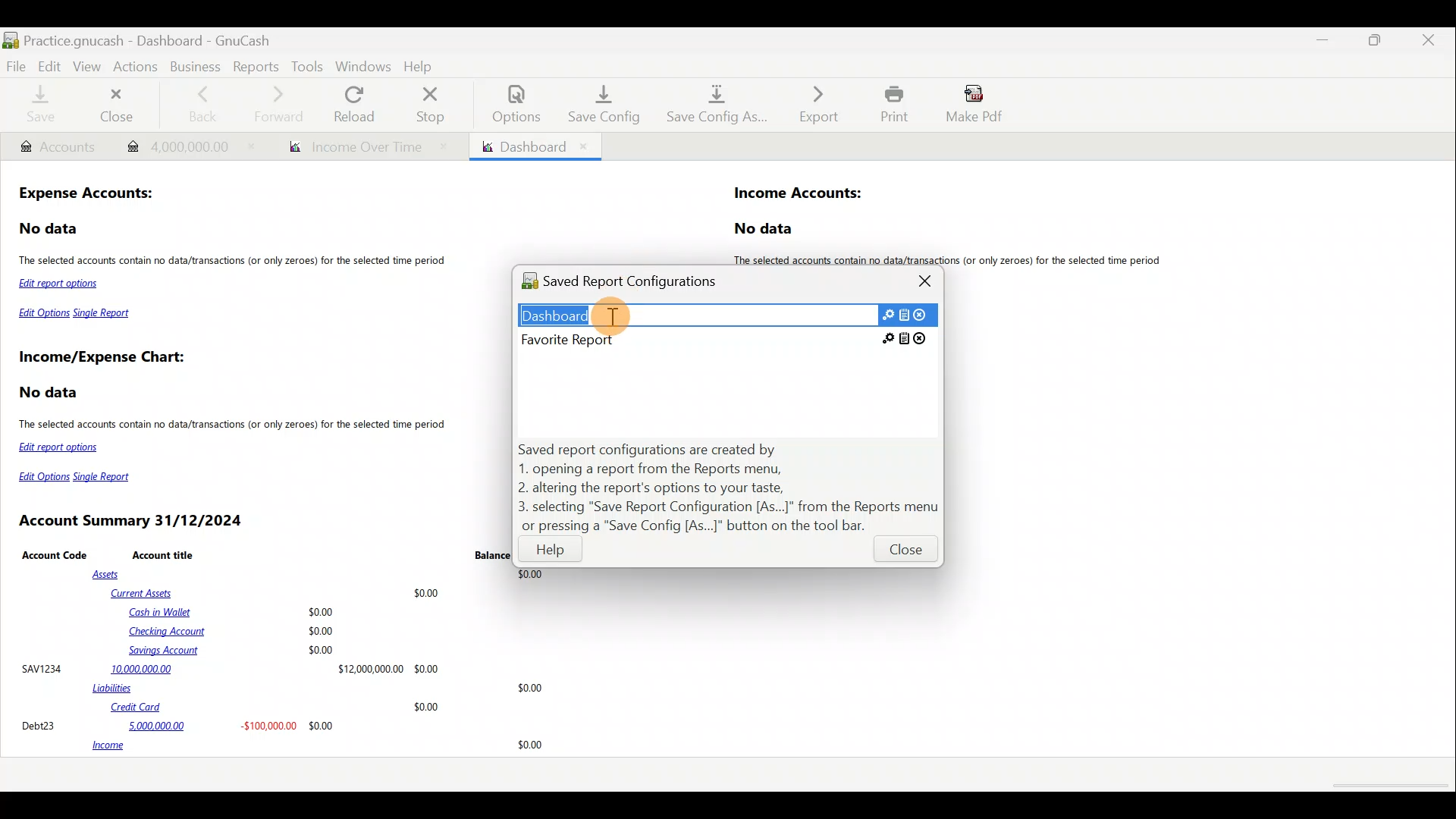 The image size is (1456, 819). What do you see at coordinates (133, 521) in the screenshot?
I see `Account Summary 31/12/2024` at bounding box center [133, 521].